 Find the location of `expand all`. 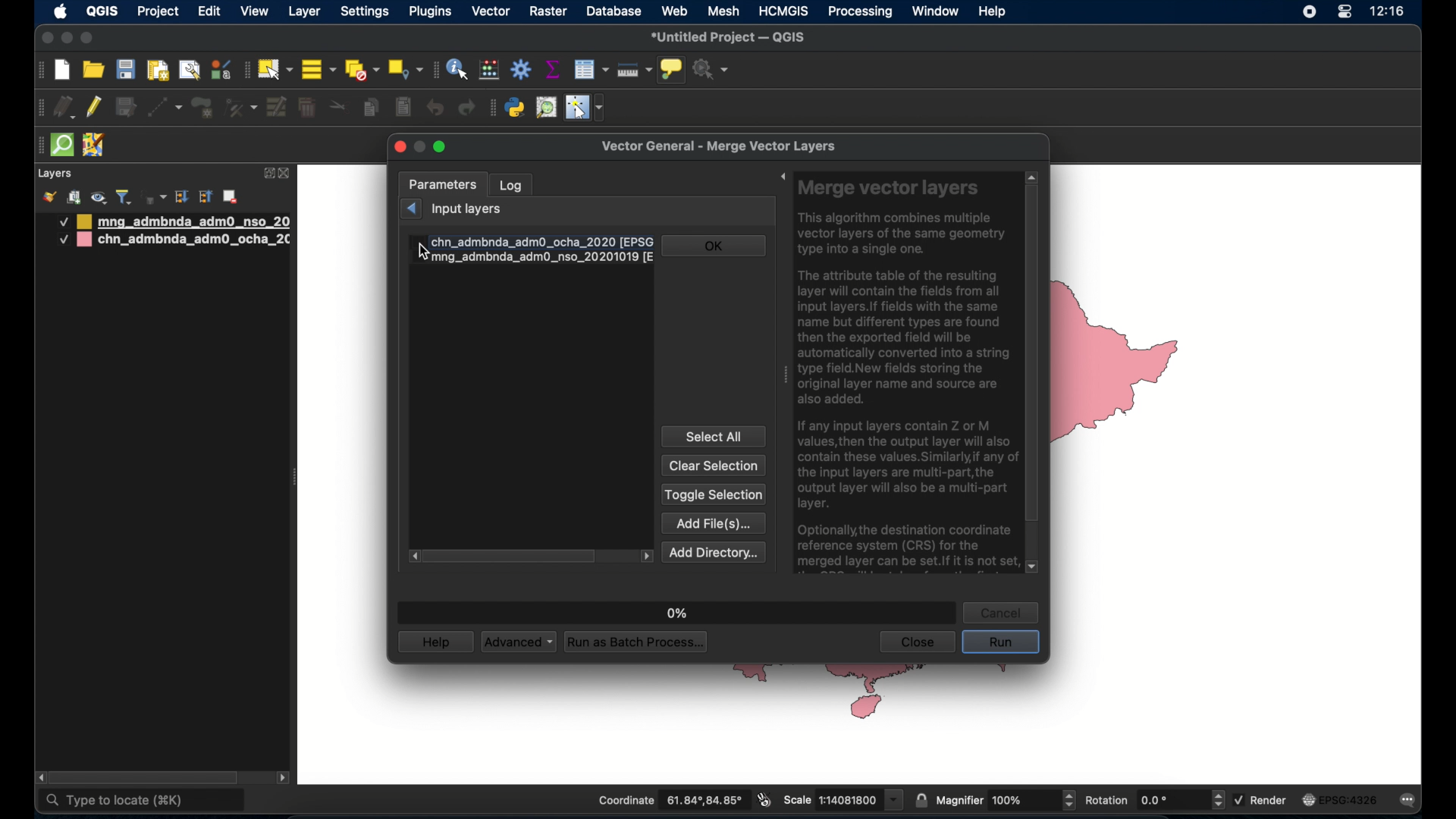

expand all is located at coordinates (181, 197).